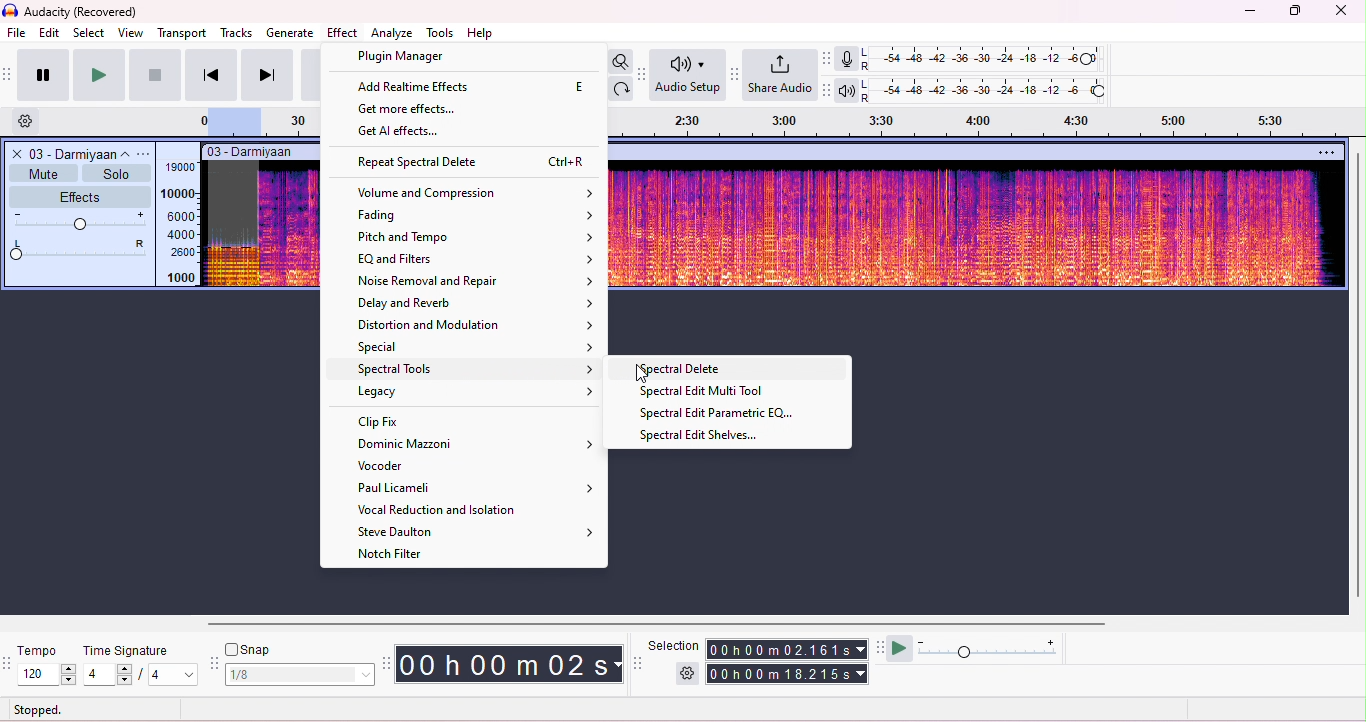  What do you see at coordinates (478, 487) in the screenshot?
I see `paul licameli` at bounding box center [478, 487].